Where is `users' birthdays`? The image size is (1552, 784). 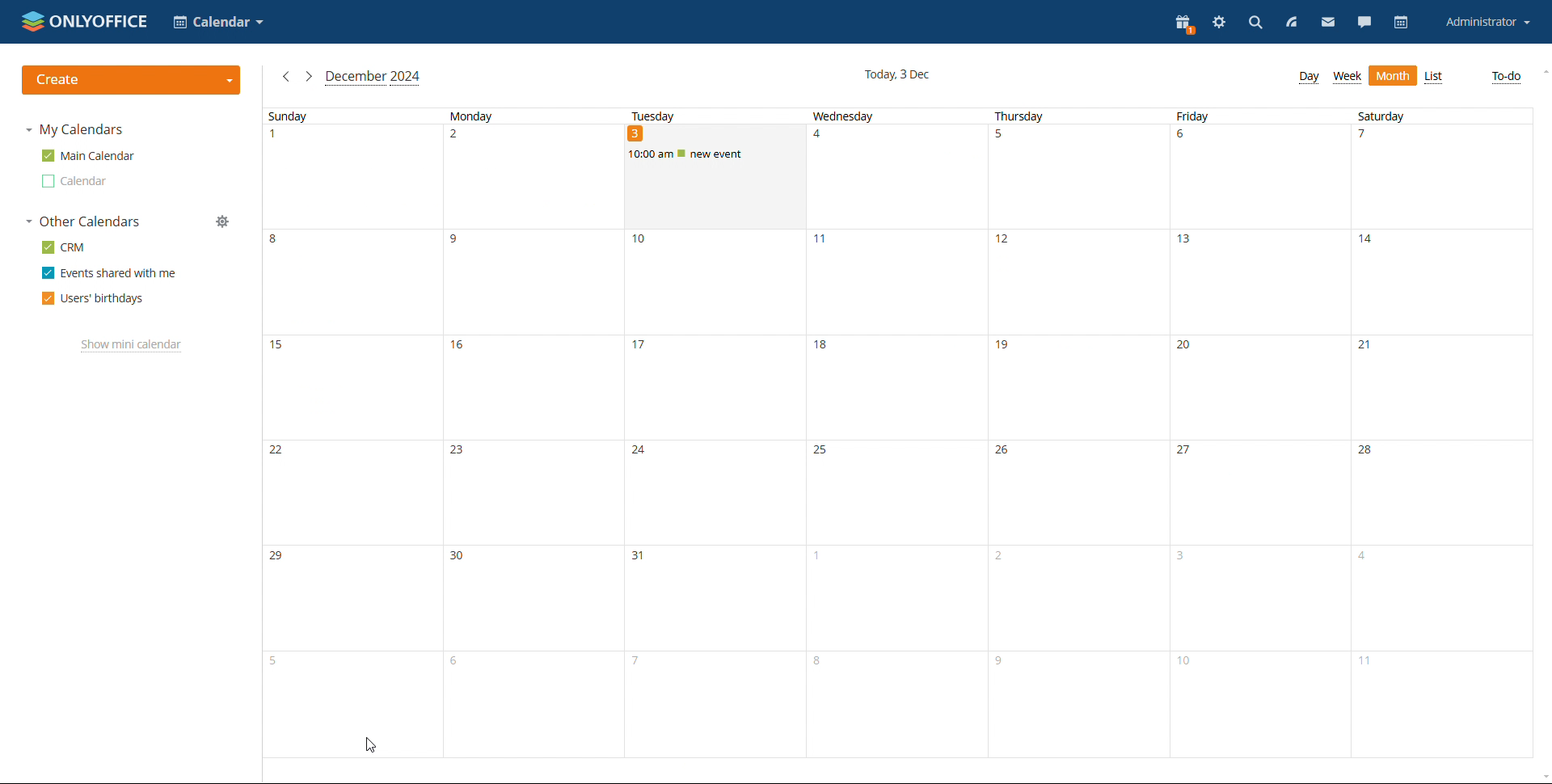
users' birthdays is located at coordinates (93, 299).